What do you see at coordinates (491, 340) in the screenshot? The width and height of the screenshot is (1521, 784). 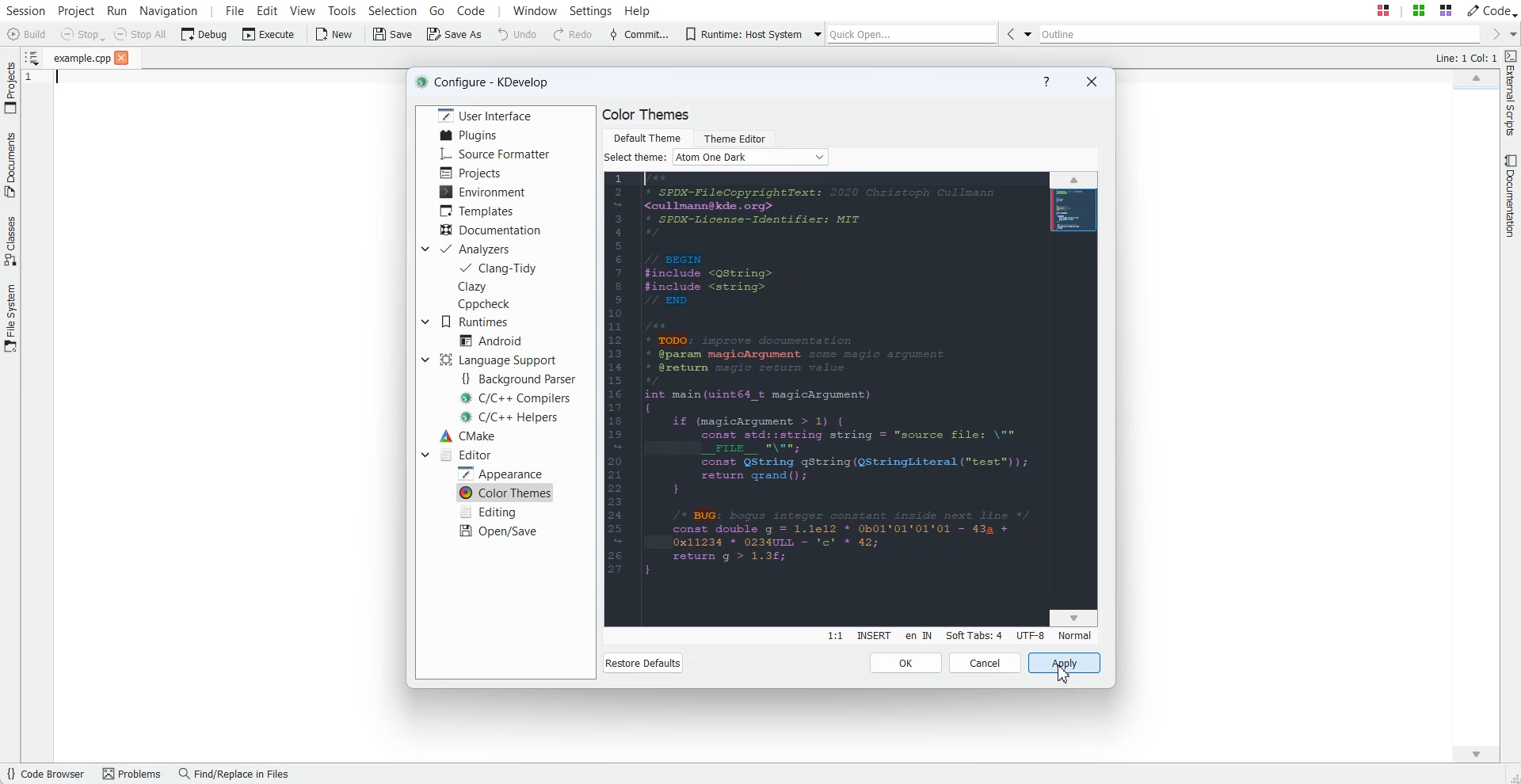 I see `Android` at bounding box center [491, 340].